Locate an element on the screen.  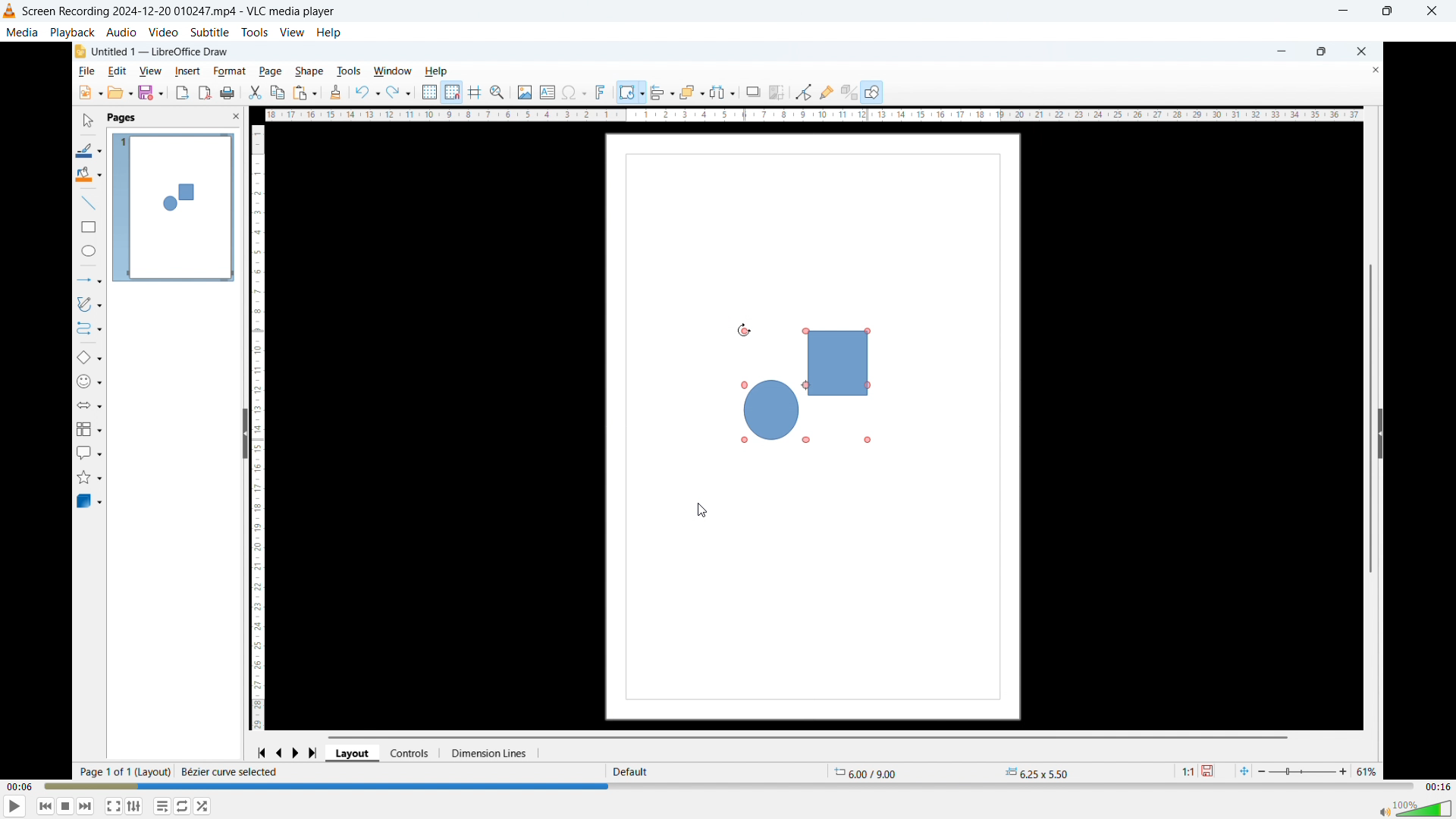
Playback  is located at coordinates (74, 33).